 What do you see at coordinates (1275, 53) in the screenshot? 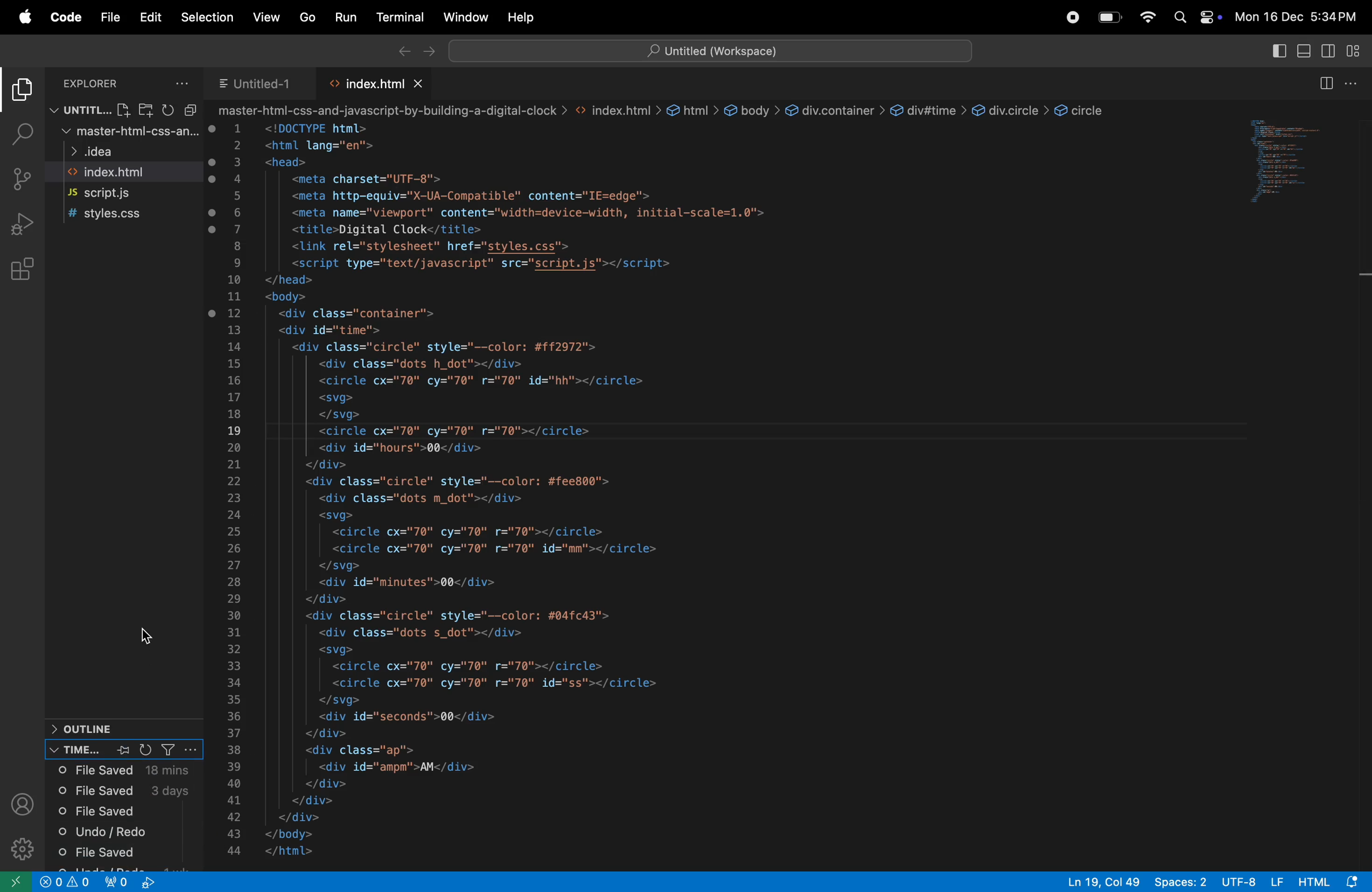
I see `split editor` at bounding box center [1275, 53].